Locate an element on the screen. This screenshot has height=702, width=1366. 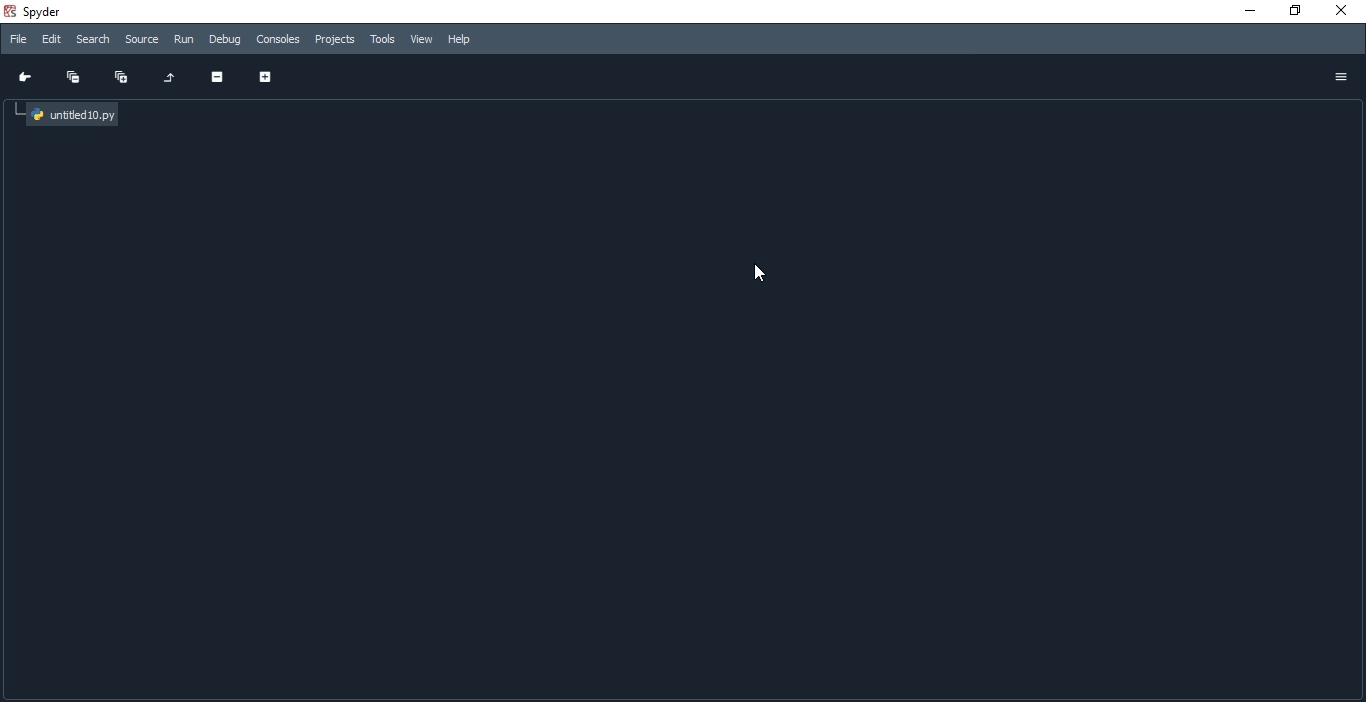
View is located at coordinates (420, 38).